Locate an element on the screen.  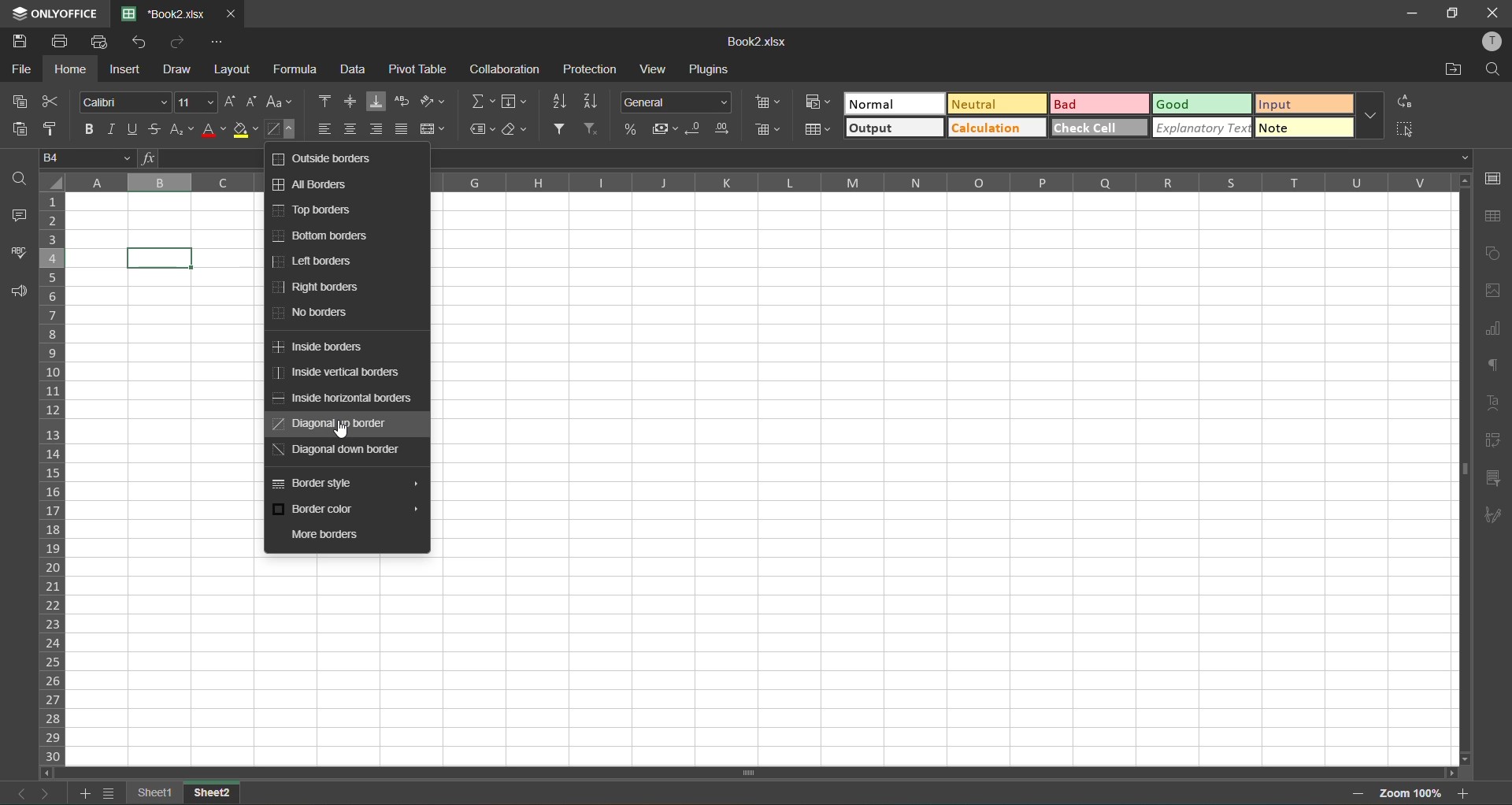
bold is located at coordinates (89, 129).